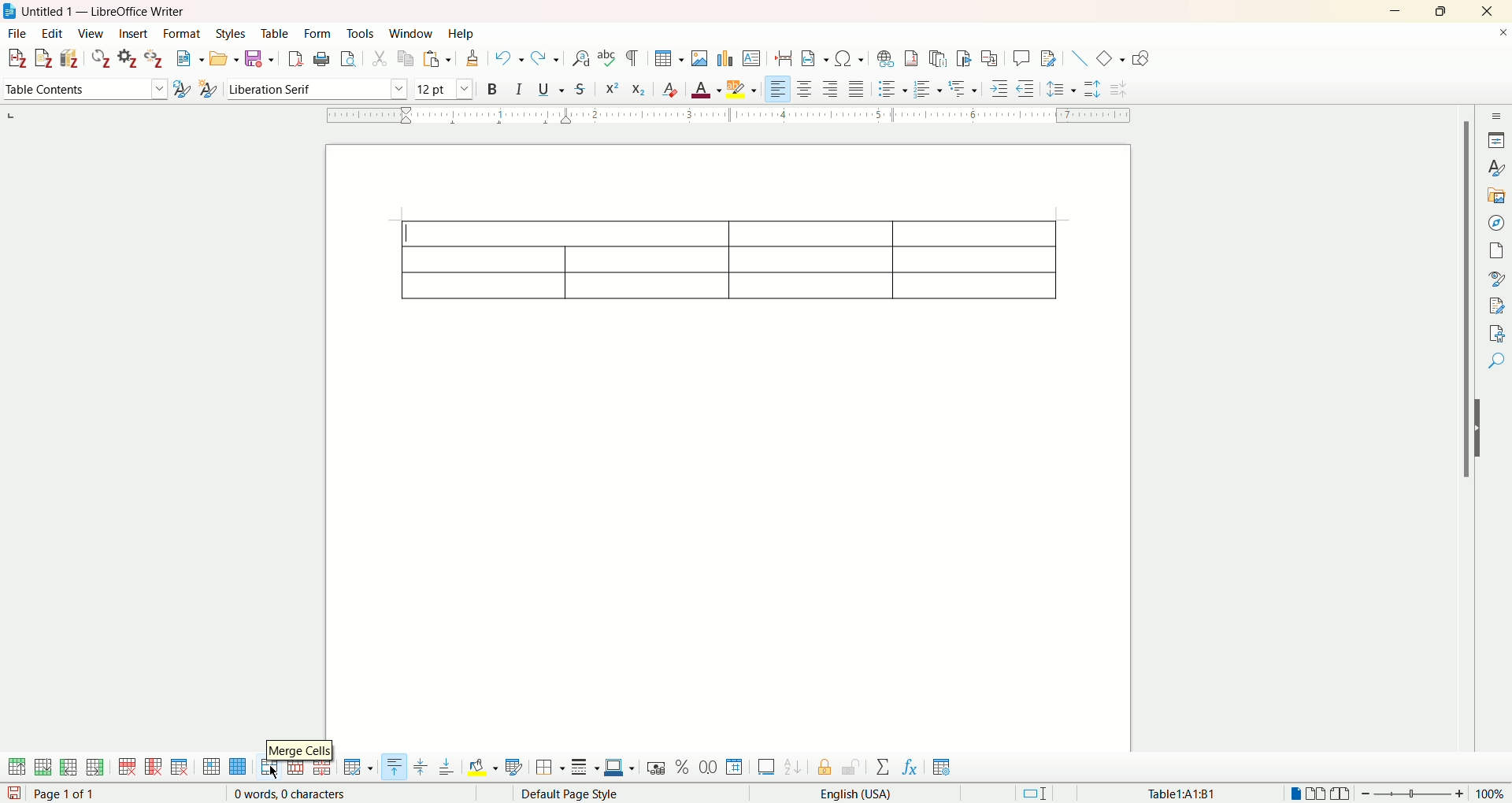 Image resolution: width=1512 pixels, height=803 pixels. Describe the element at coordinates (855, 91) in the screenshot. I see `justified` at that location.